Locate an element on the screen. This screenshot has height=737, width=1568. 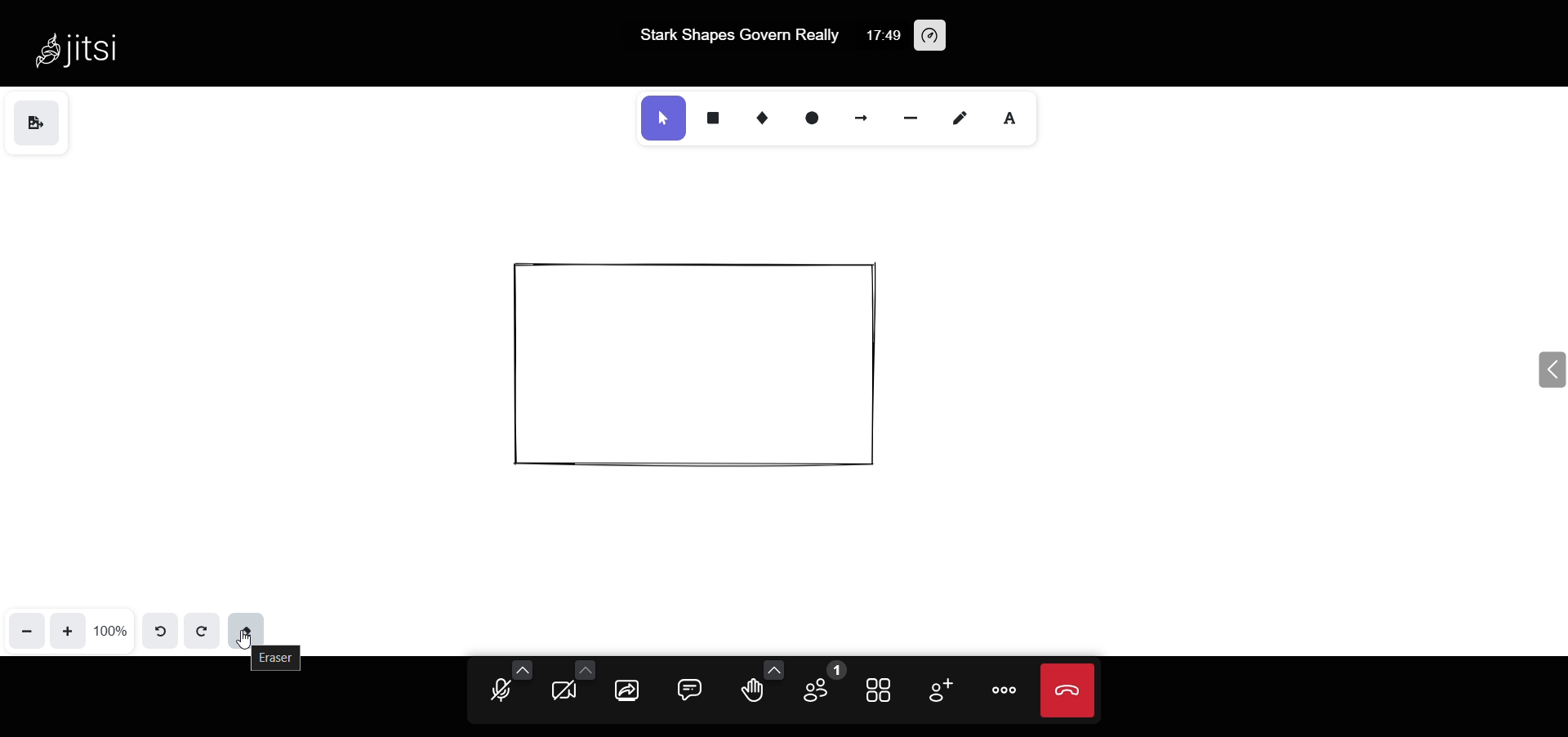
redo is located at coordinates (200, 630).